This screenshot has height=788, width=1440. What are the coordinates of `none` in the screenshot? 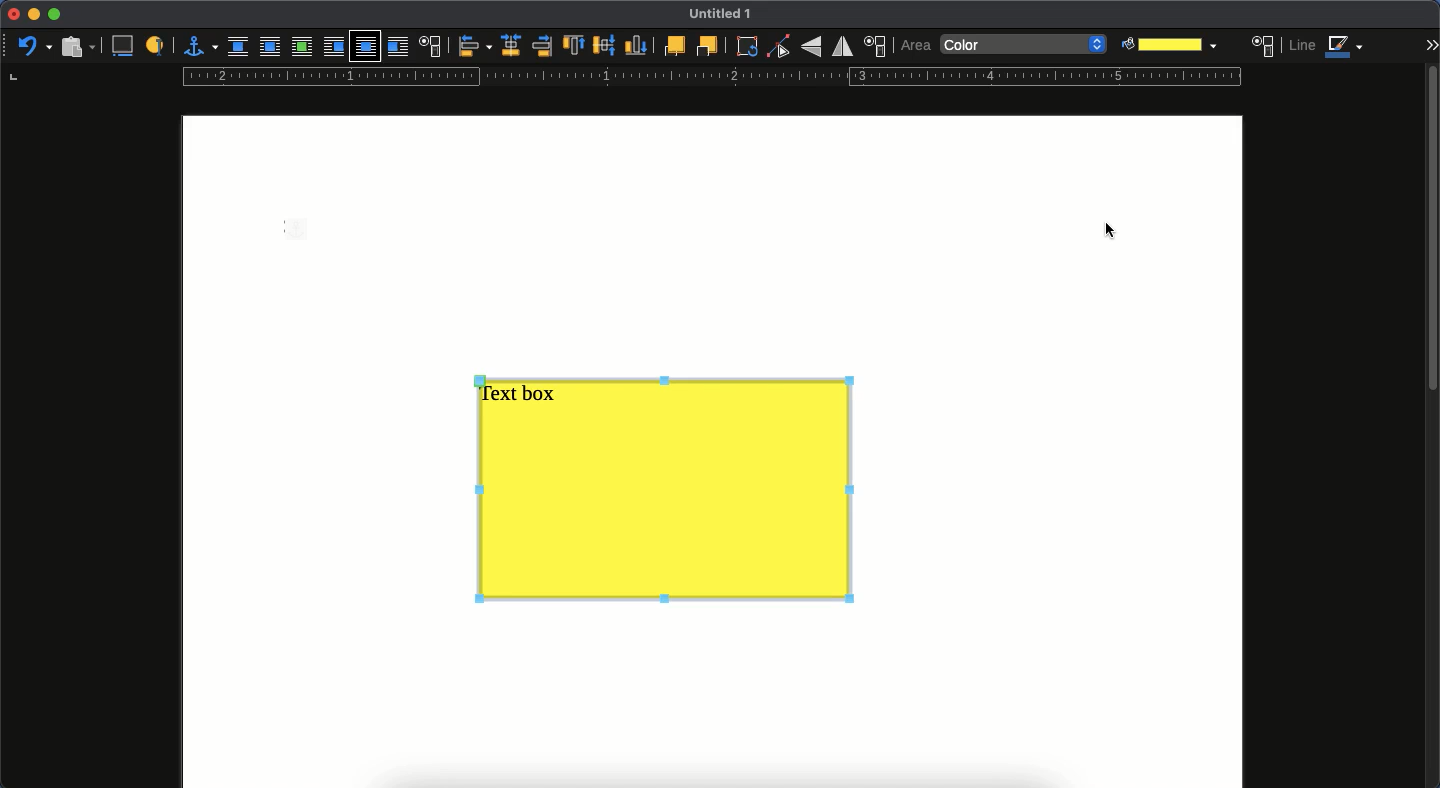 It's located at (240, 47).